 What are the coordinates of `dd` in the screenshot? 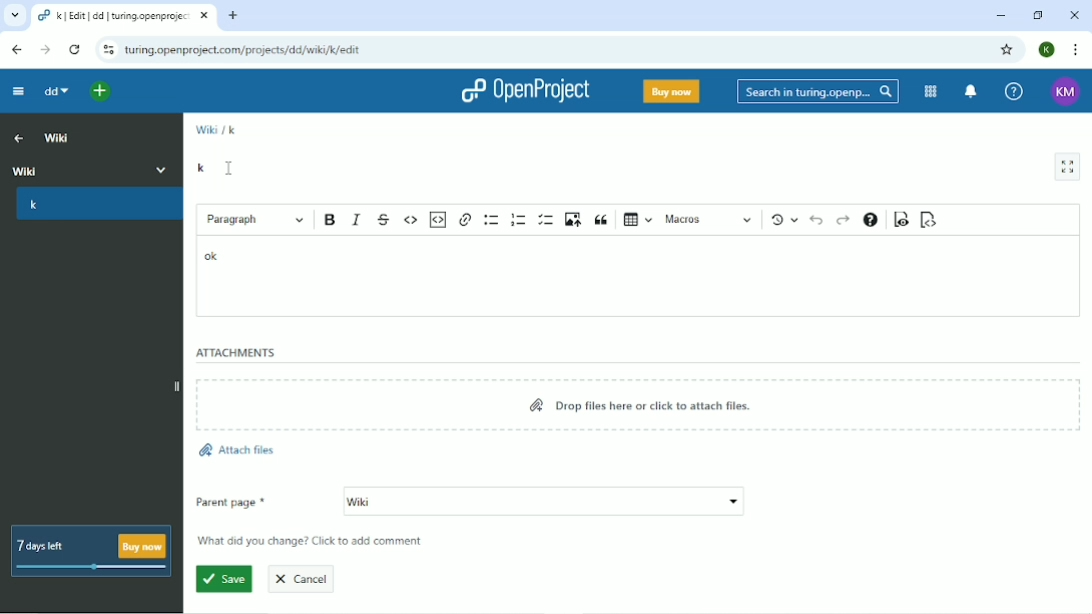 It's located at (55, 92).